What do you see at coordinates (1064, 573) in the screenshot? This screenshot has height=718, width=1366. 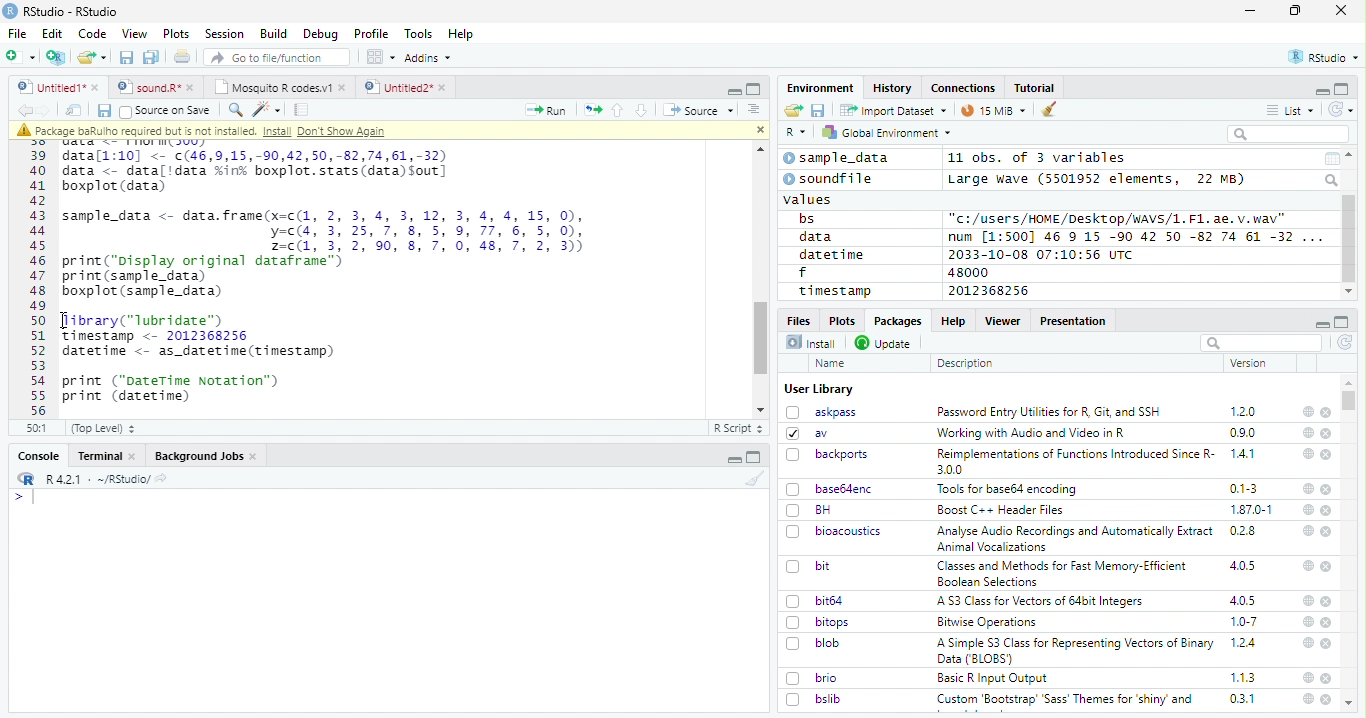 I see `(Classes and Methods for Fast Memory-Efficient
Boolean Selections` at bounding box center [1064, 573].